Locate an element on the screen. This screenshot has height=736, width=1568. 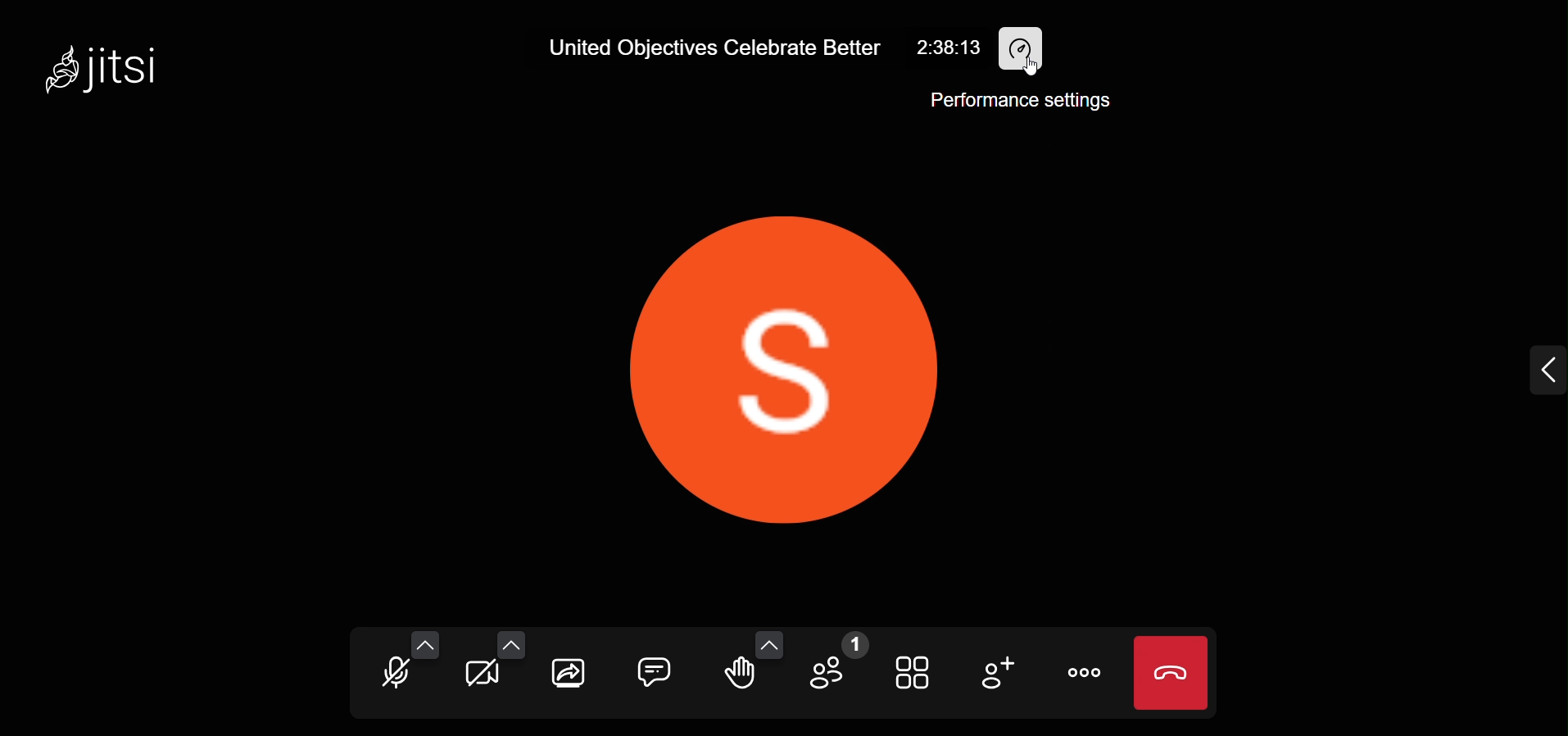
United Objectives Celebrate Better is located at coordinates (710, 50).